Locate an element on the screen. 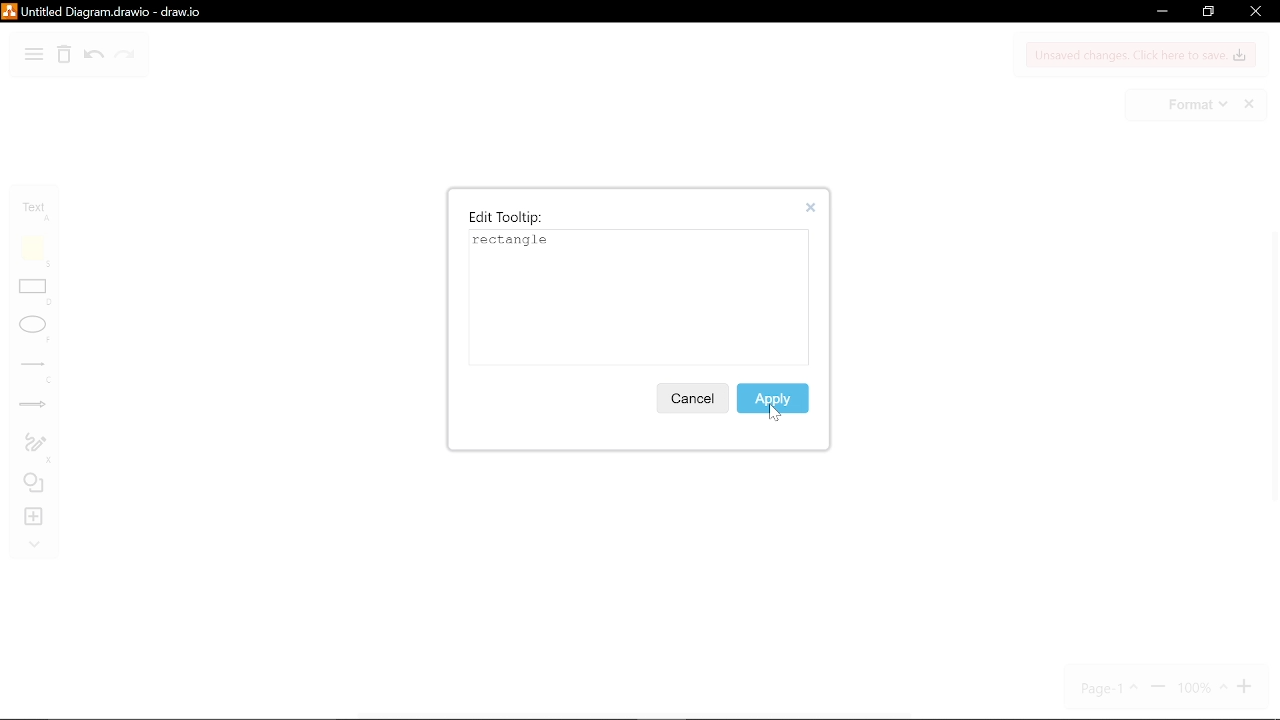  insert is located at coordinates (36, 517).